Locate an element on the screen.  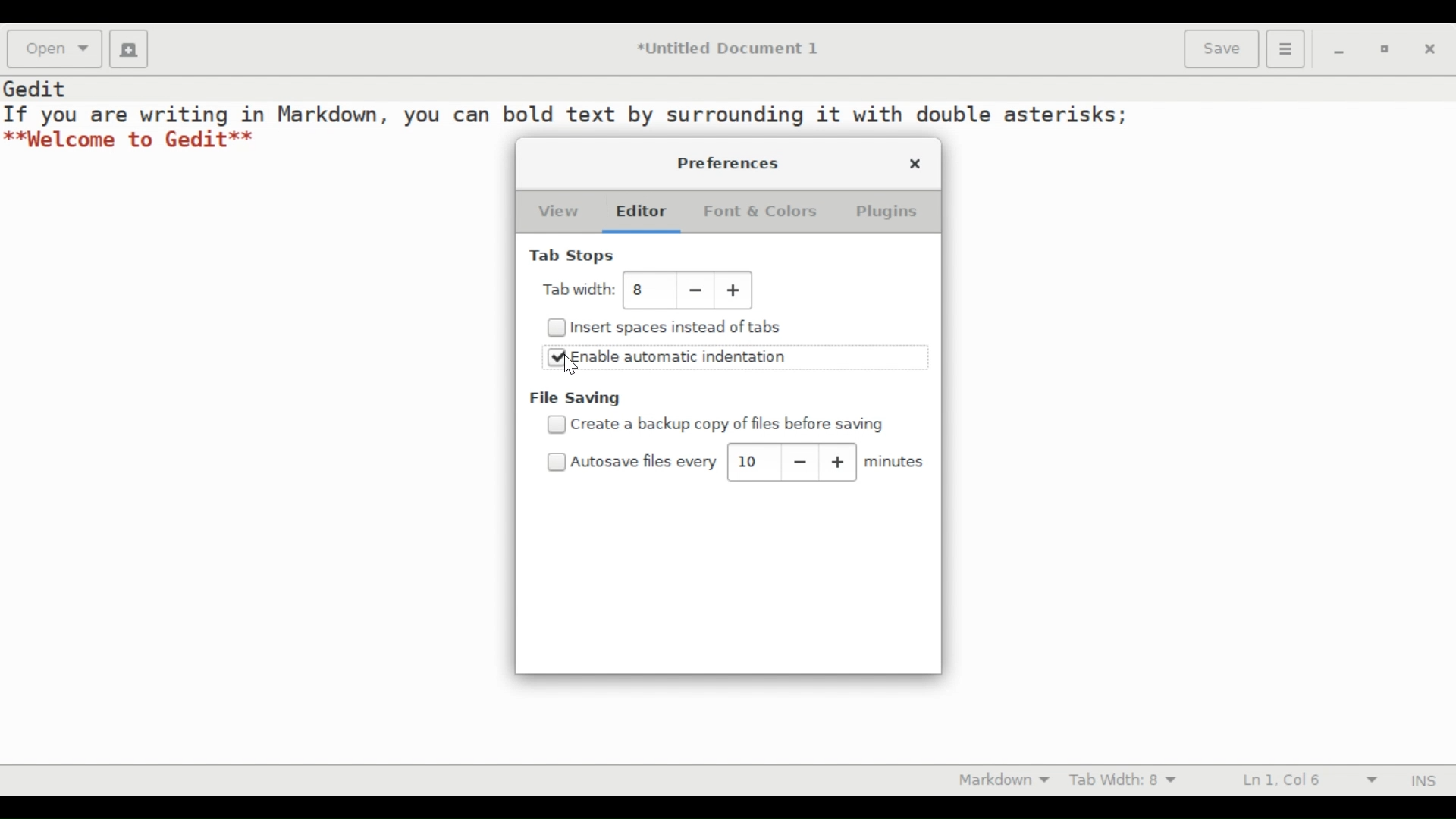
Tab Width is located at coordinates (577, 290).